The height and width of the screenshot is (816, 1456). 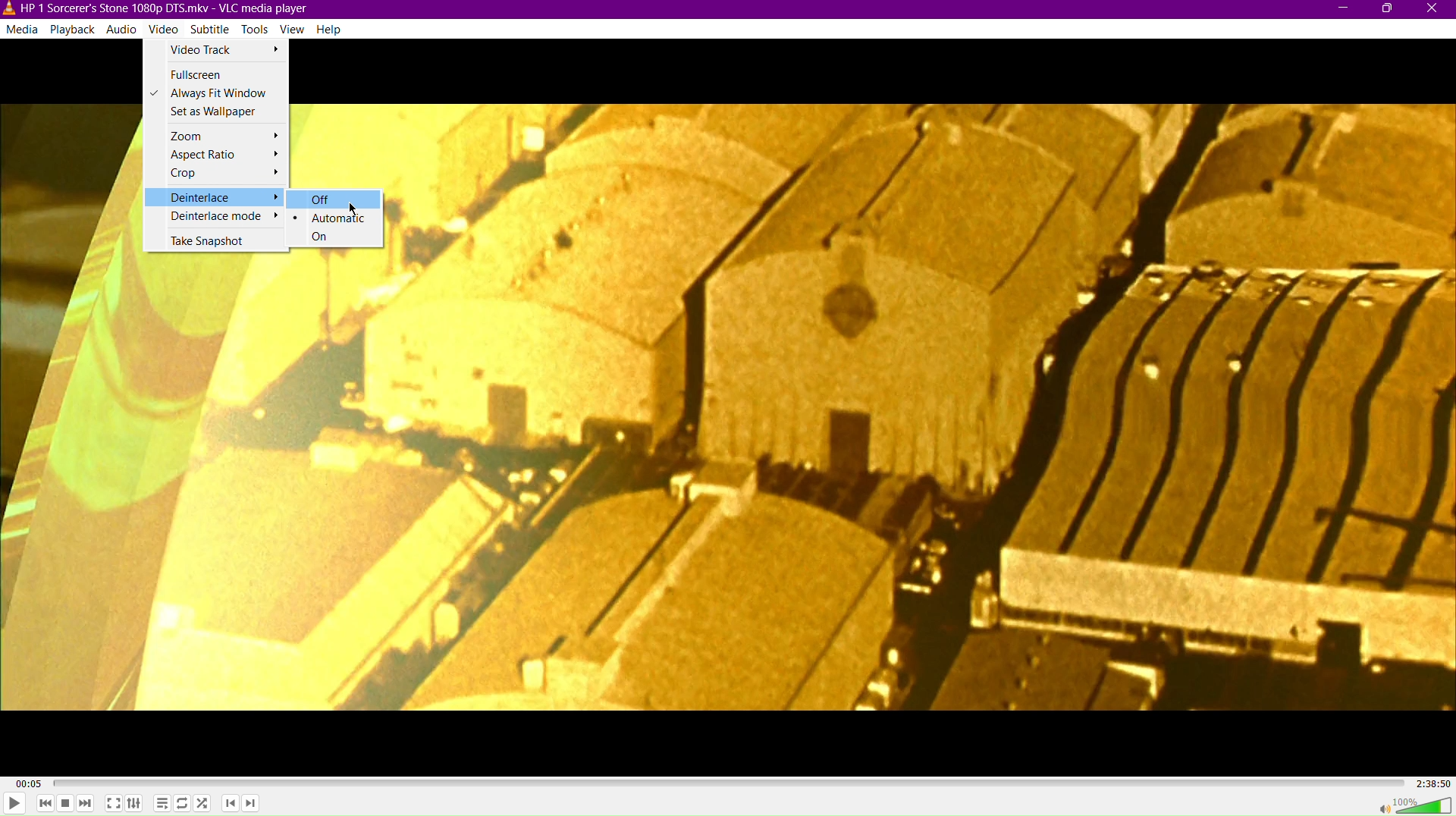 I want to click on Deinterlace, so click(x=215, y=197).